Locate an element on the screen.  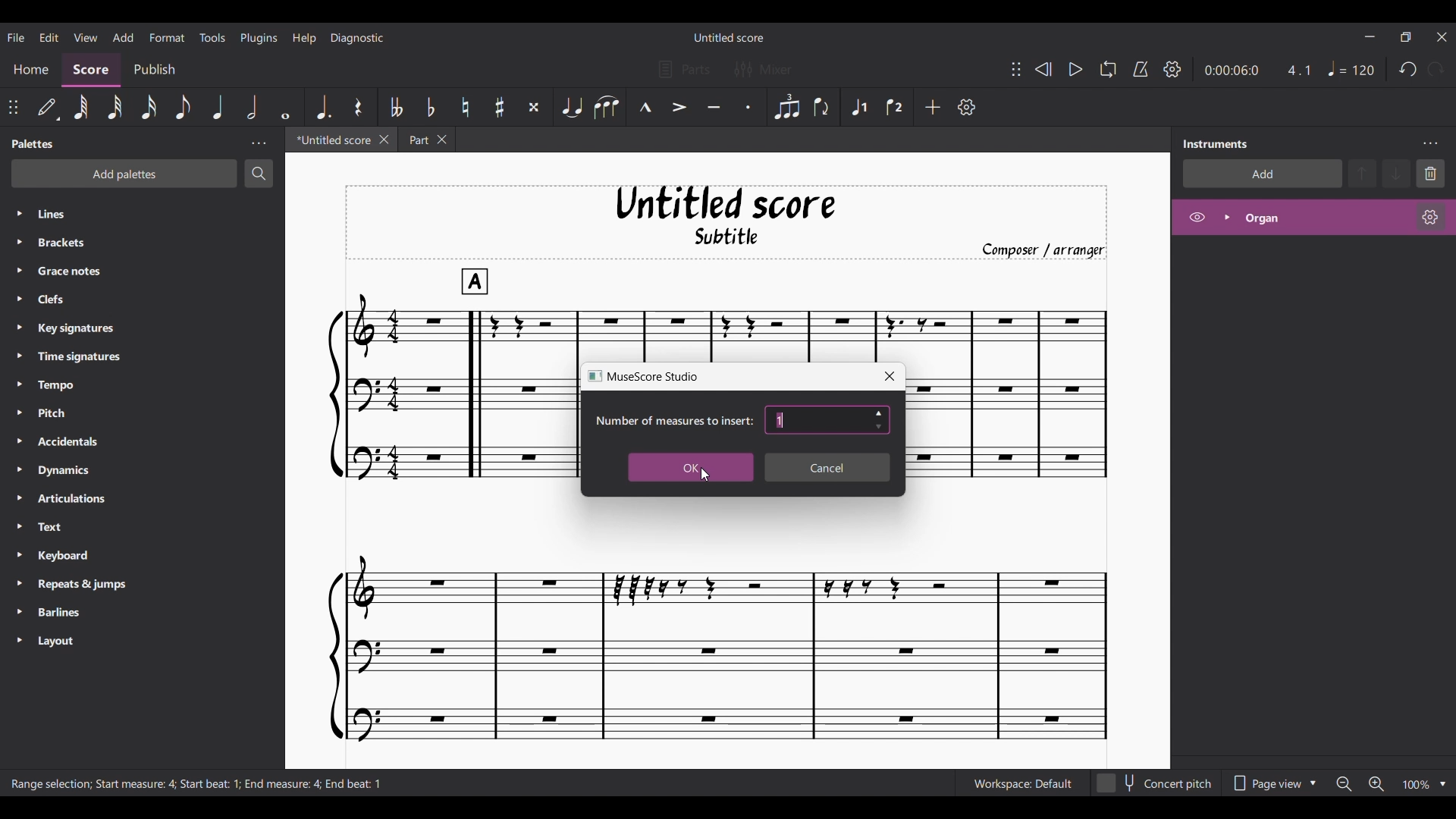
Rewind is located at coordinates (1043, 69).